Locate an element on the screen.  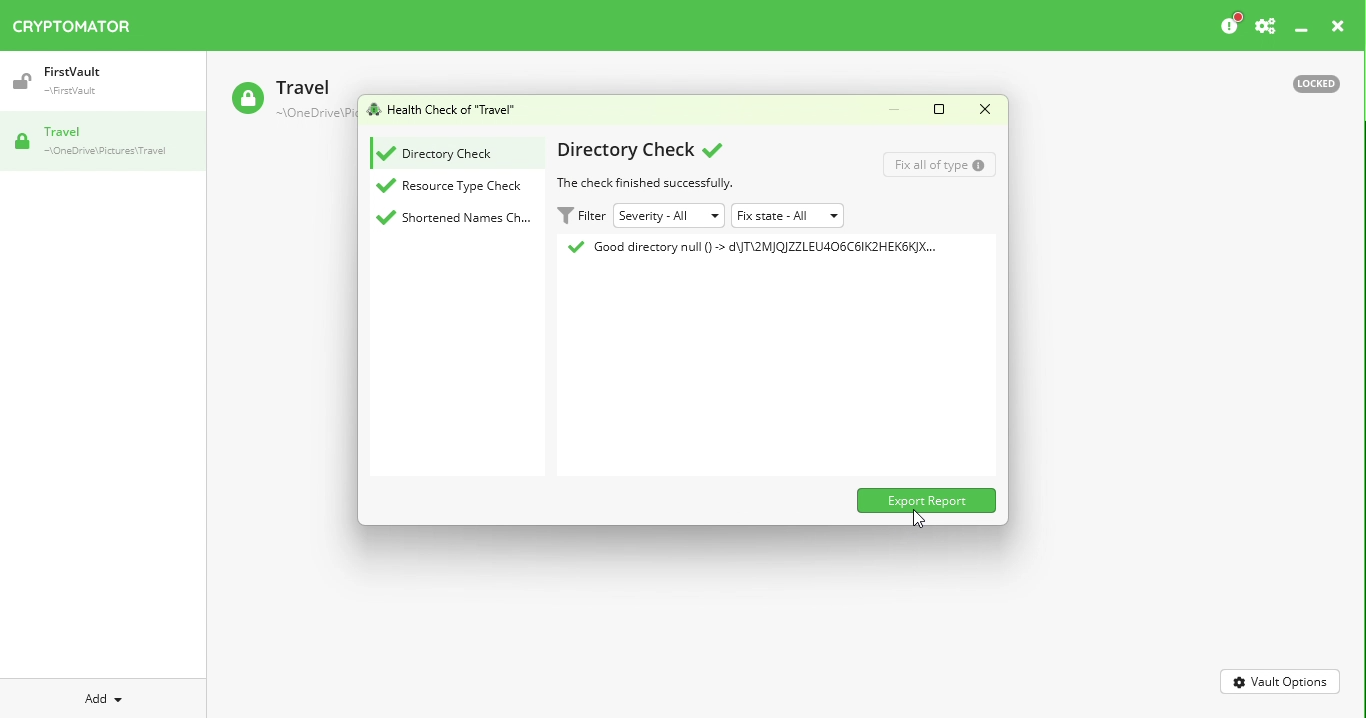
Cryptomator icon is located at coordinates (82, 22).